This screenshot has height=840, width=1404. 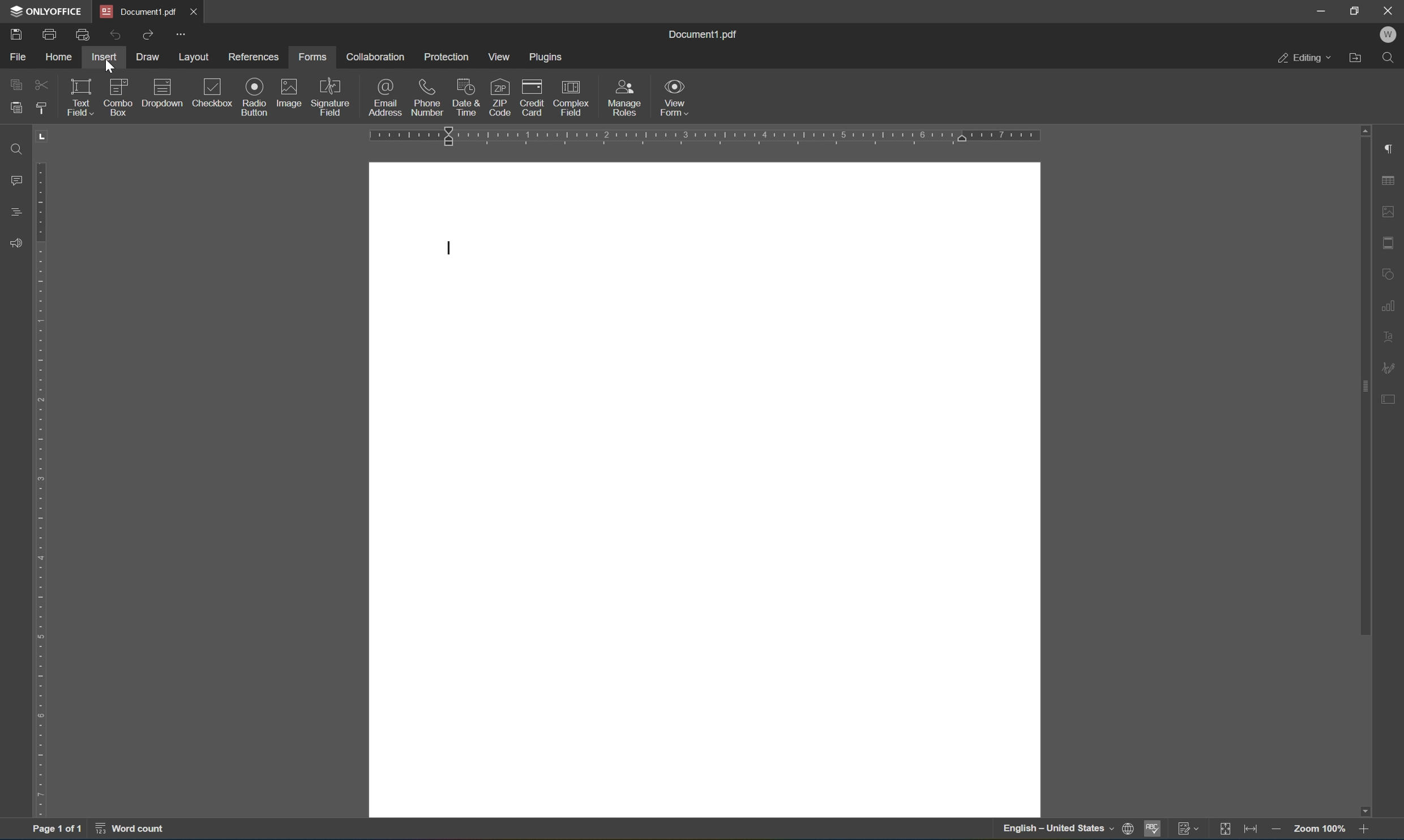 I want to click on plugins, so click(x=547, y=55).